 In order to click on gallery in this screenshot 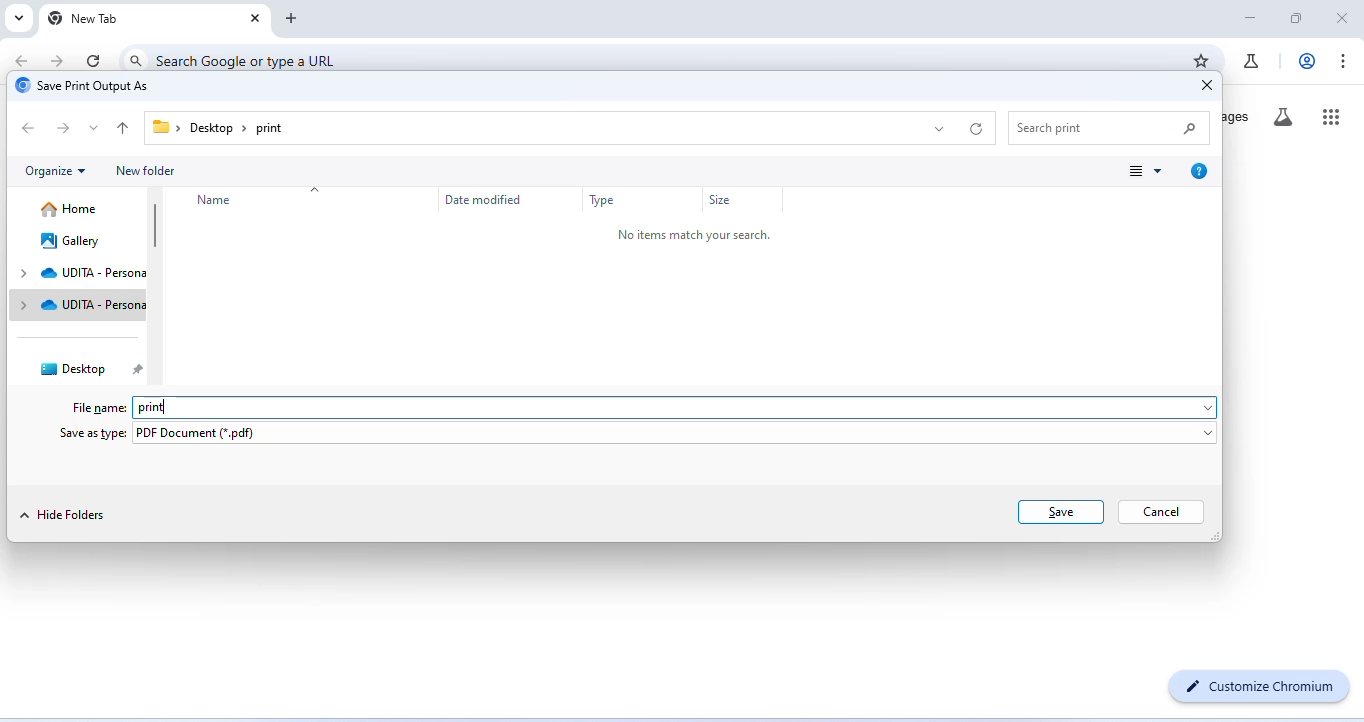, I will do `click(71, 241)`.